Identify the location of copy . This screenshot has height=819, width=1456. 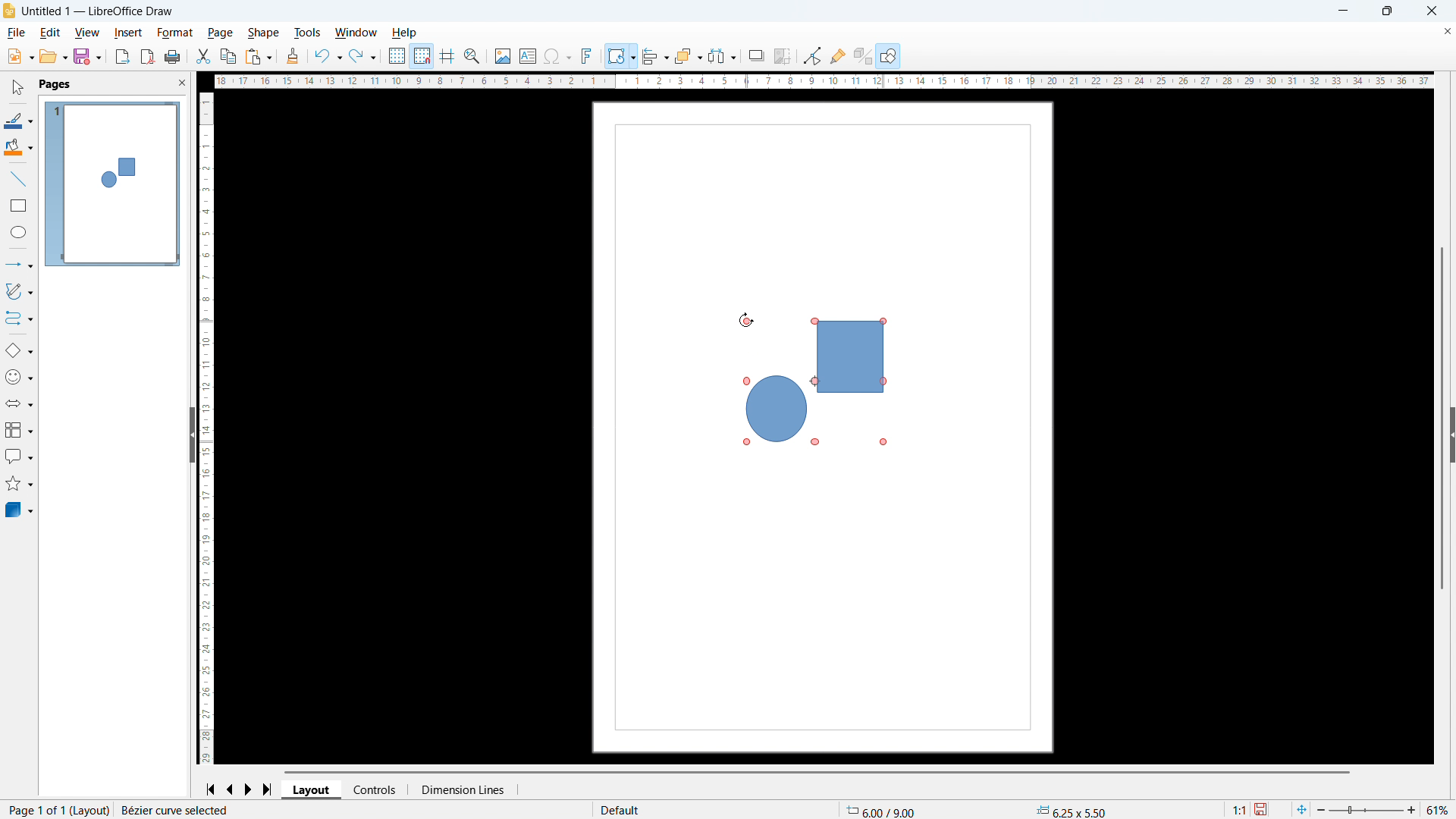
(229, 56).